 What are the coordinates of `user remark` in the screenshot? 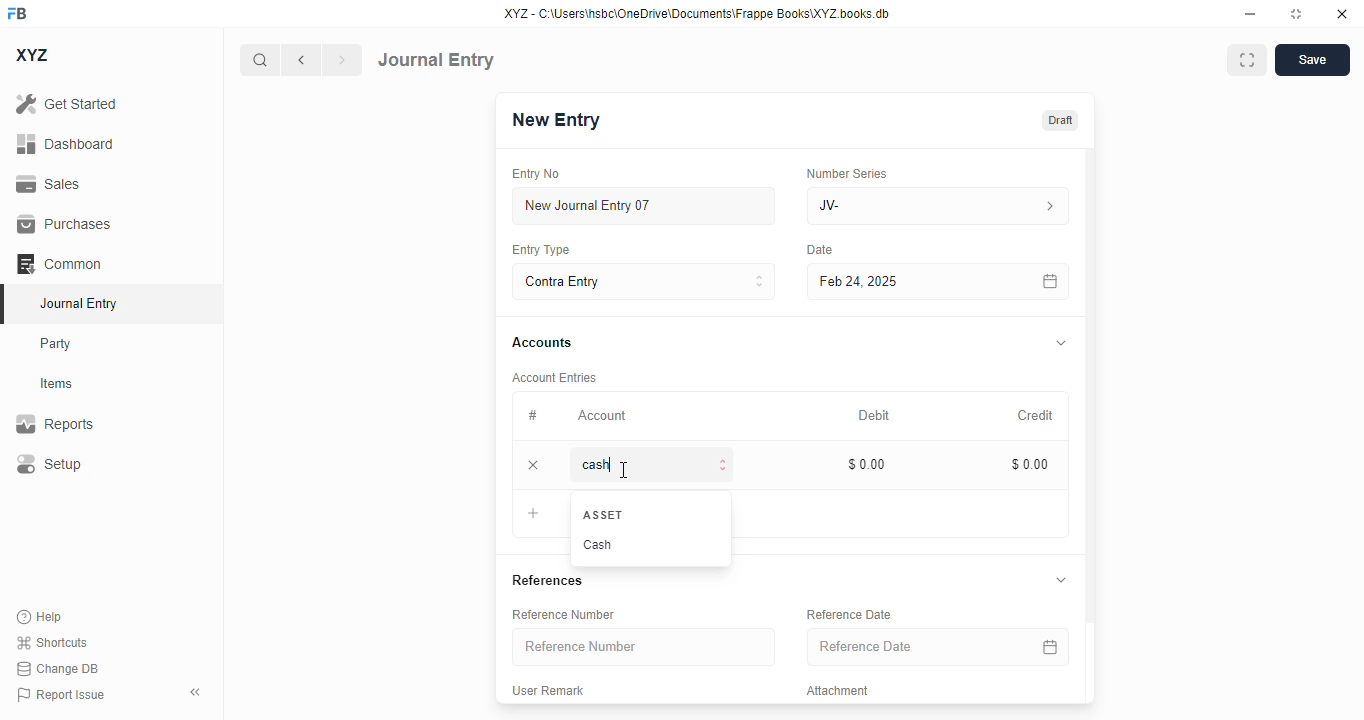 It's located at (550, 689).